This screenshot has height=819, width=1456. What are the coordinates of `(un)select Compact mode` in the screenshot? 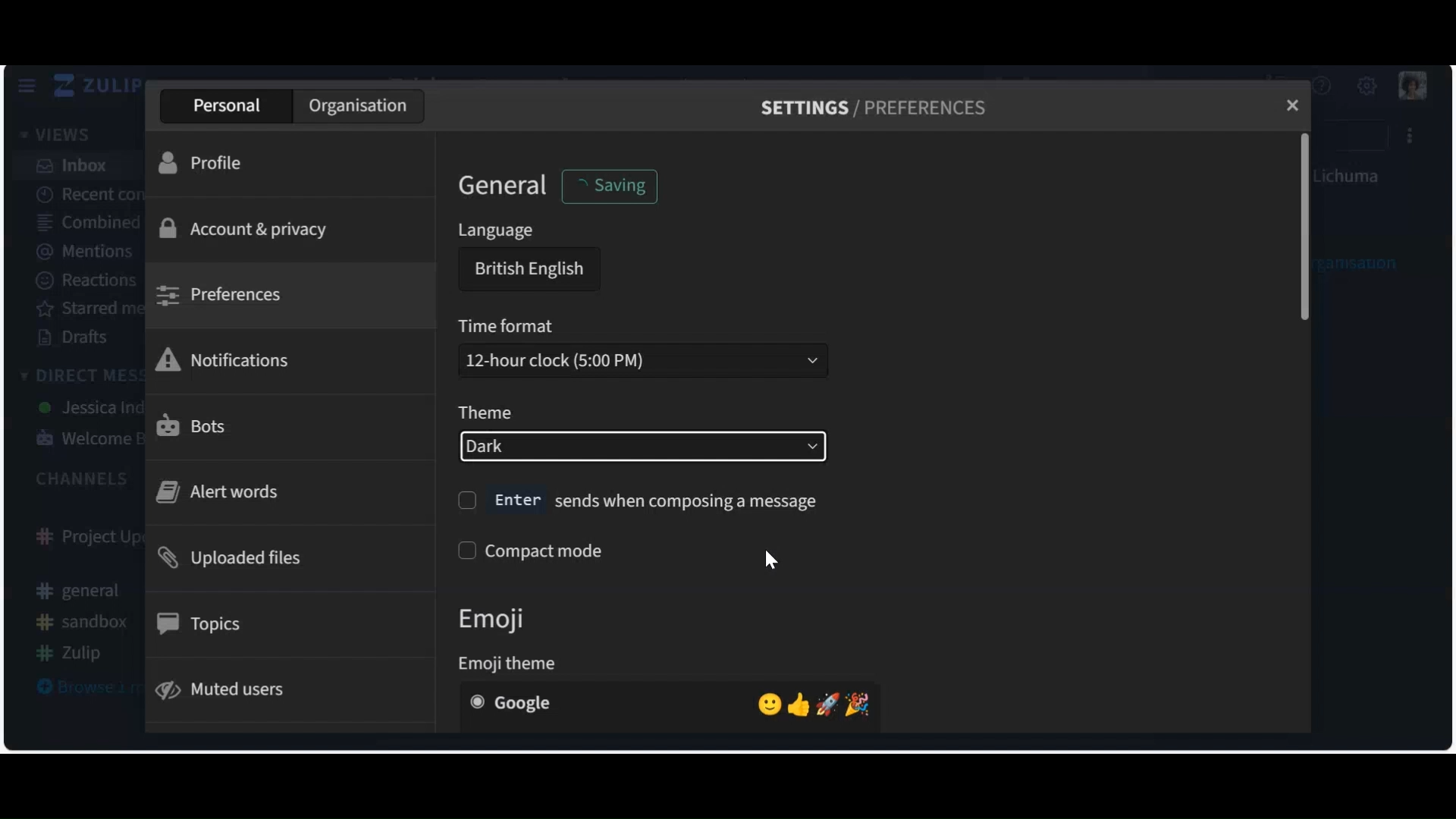 It's located at (540, 551).